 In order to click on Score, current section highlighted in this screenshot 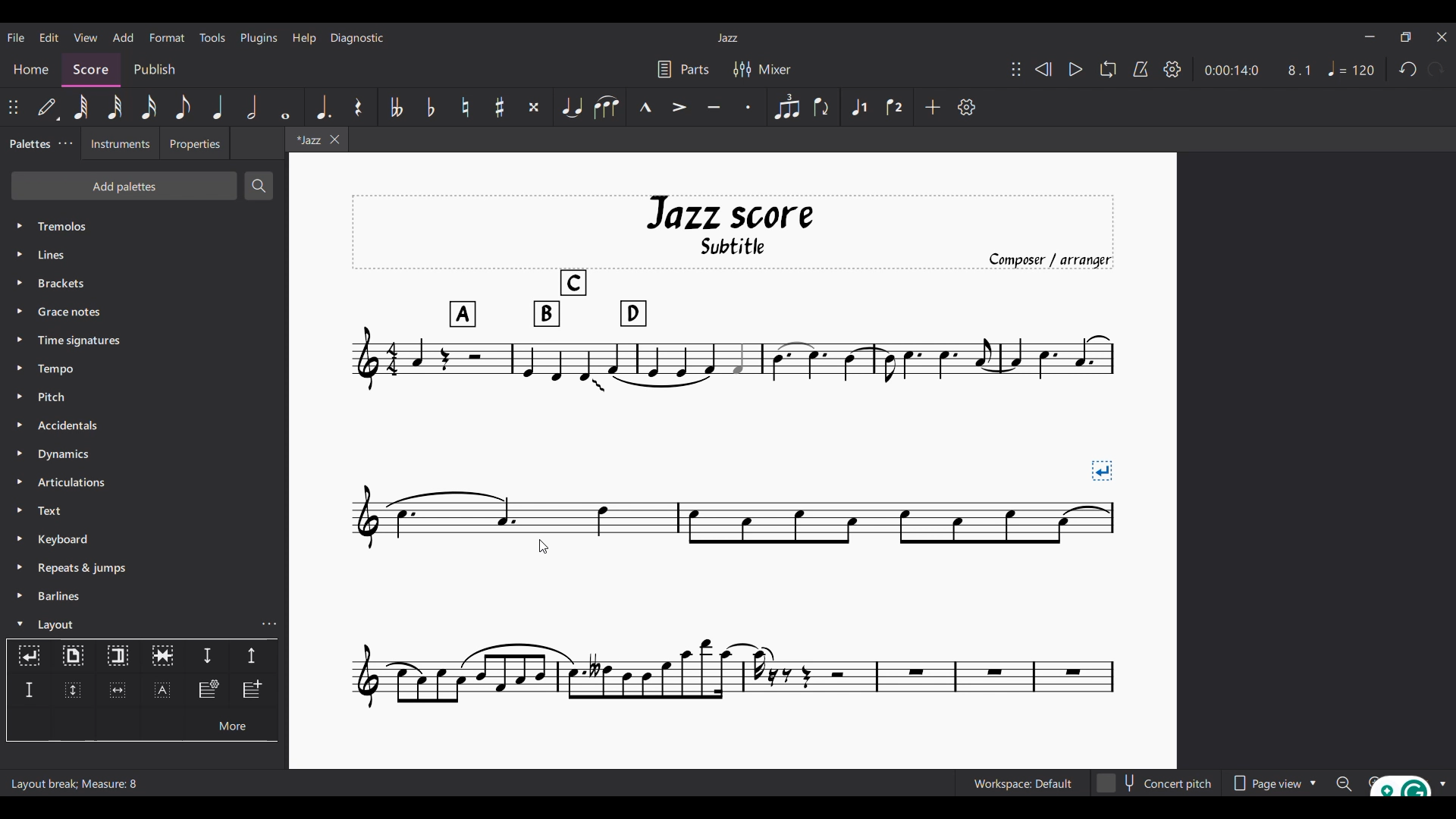, I will do `click(91, 70)`.